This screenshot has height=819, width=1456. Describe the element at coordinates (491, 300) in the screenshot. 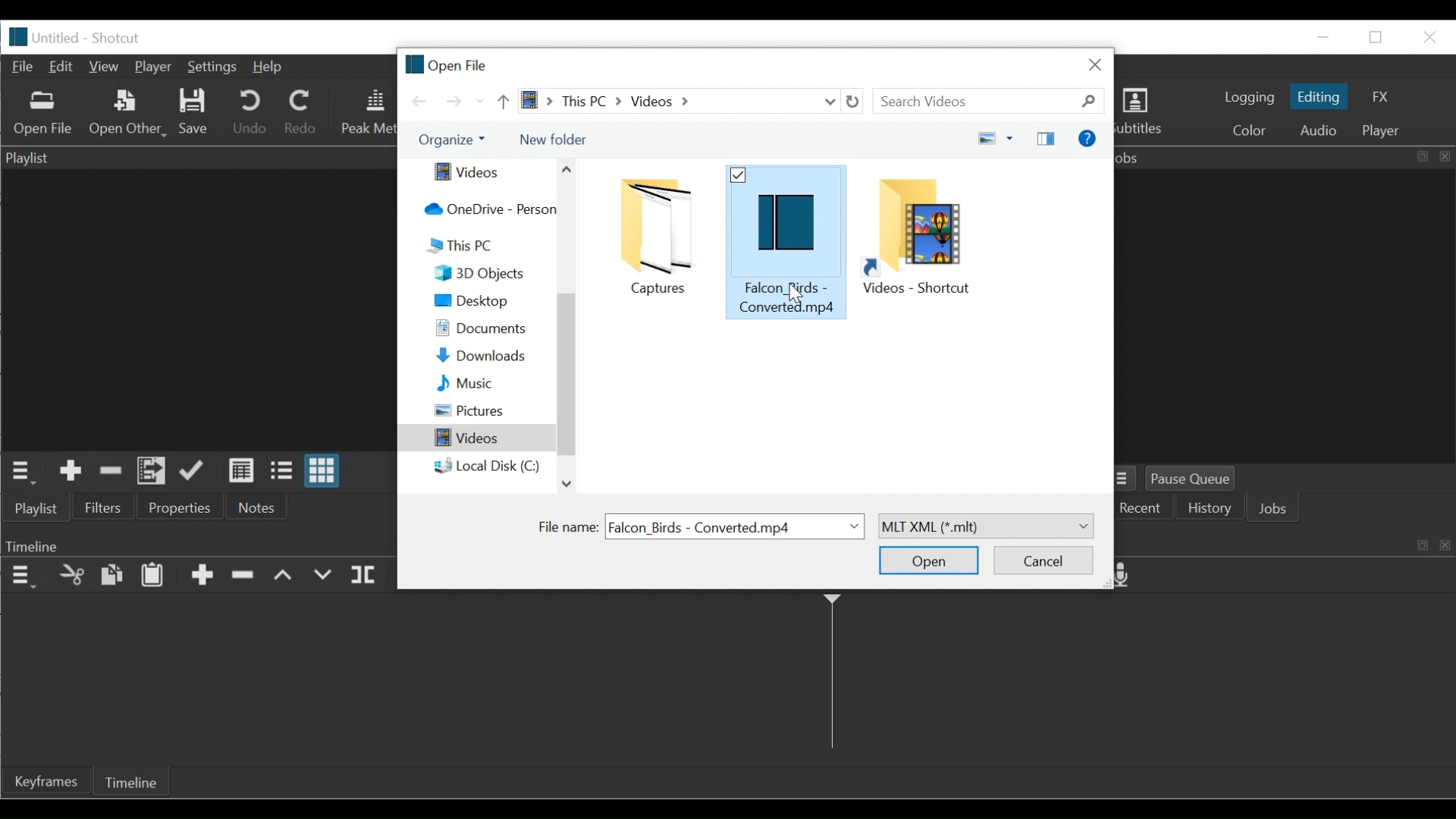

I see `Desktop` at that location.